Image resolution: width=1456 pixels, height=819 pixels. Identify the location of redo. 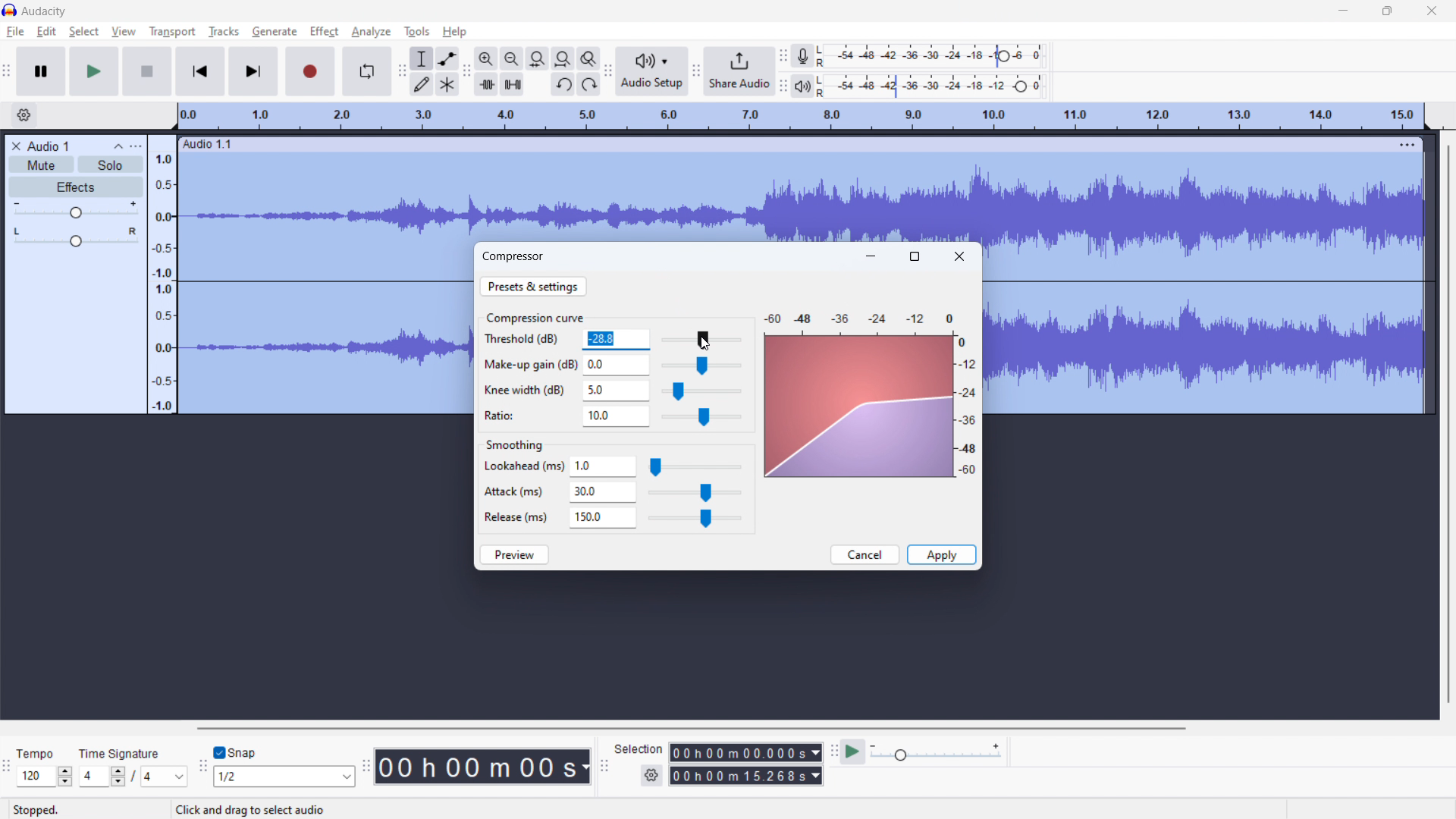
(588, 84).